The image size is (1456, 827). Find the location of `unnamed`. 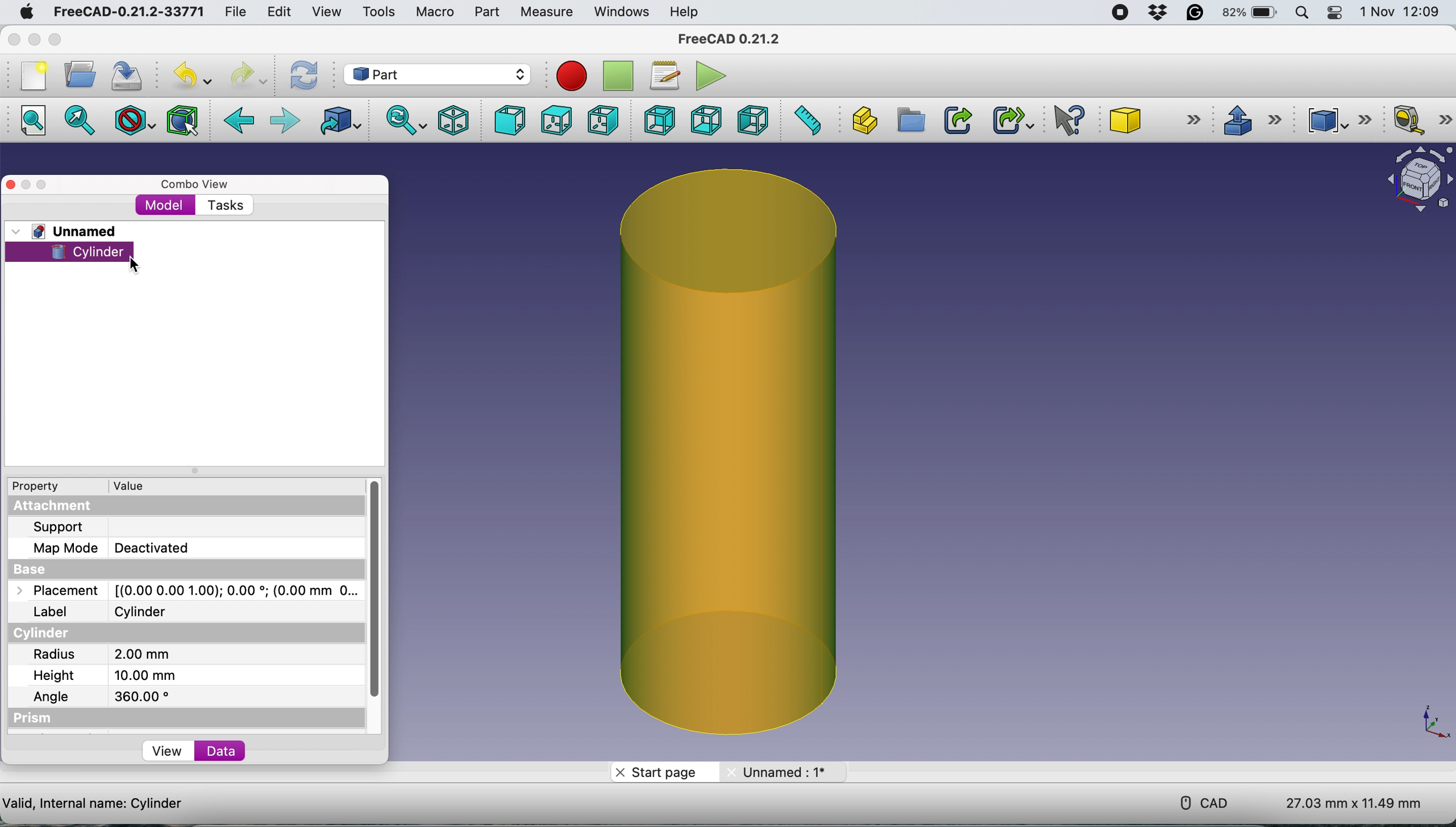

unnamed is located at coordinates (78, 232).